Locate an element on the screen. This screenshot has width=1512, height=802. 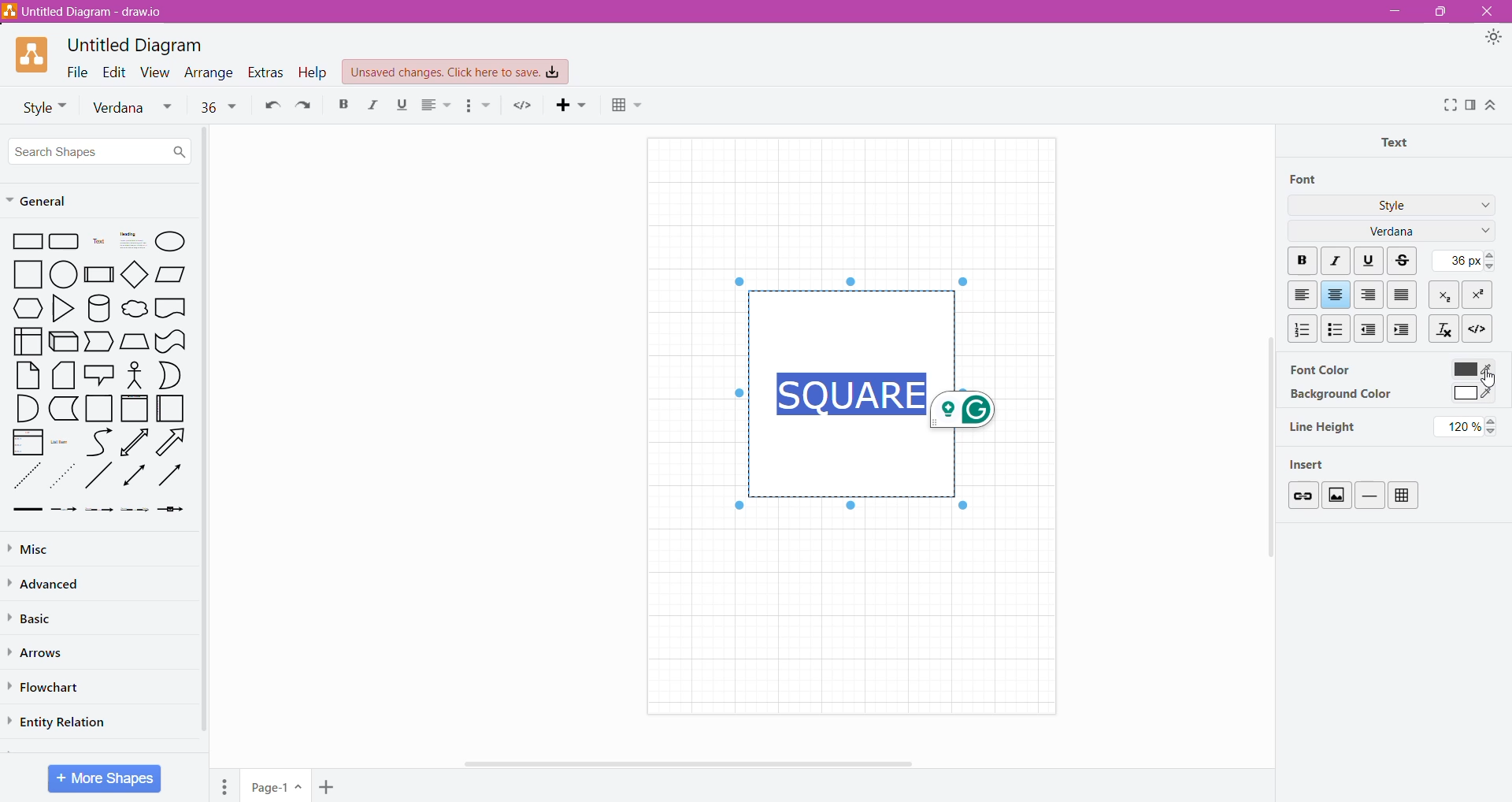
Font type is located at coordinates (136, 108).